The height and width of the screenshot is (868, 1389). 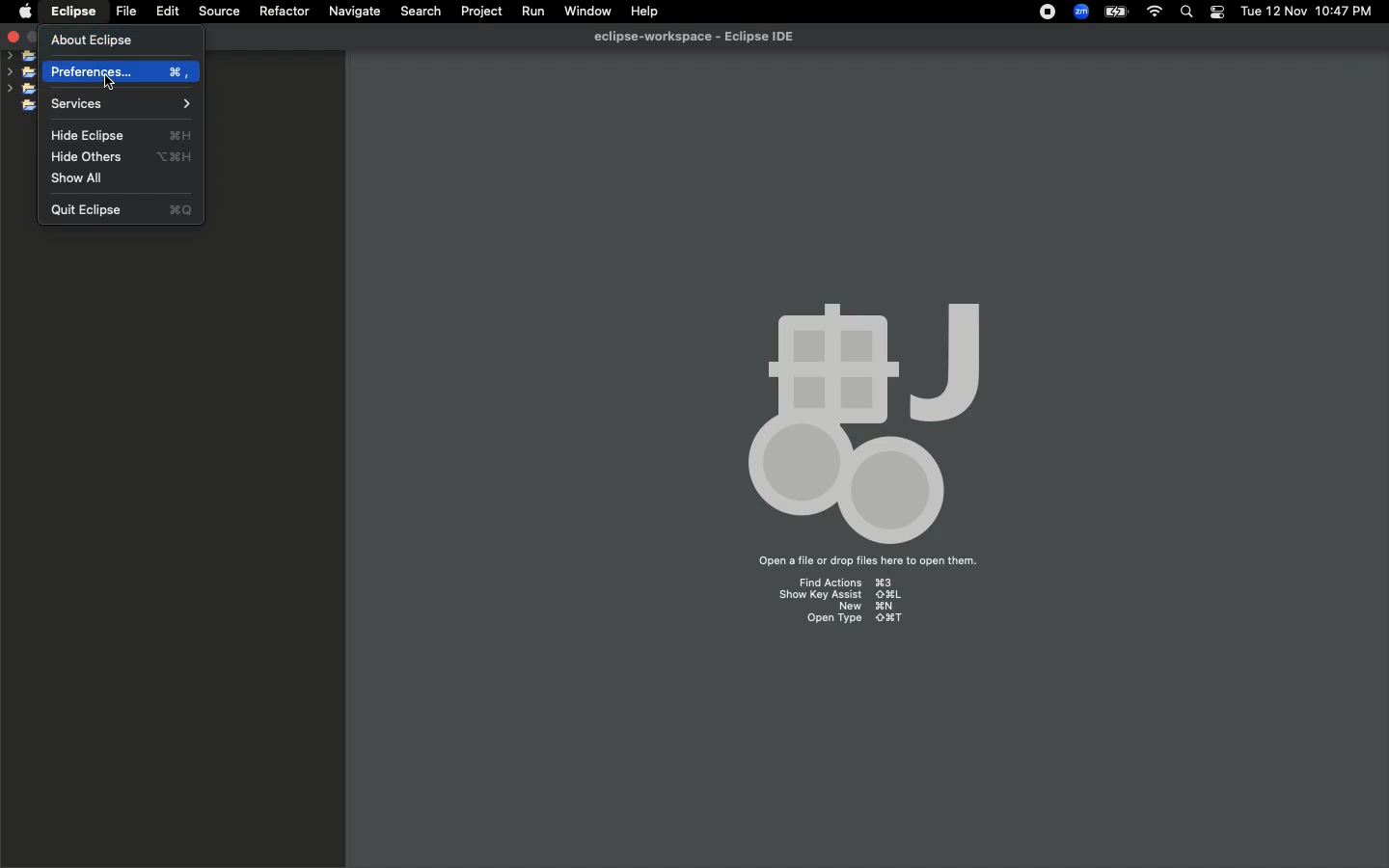 What do you see at coordinates (481, 10) in the screenshot?
I see `Project` at bounding box center [481, 10].